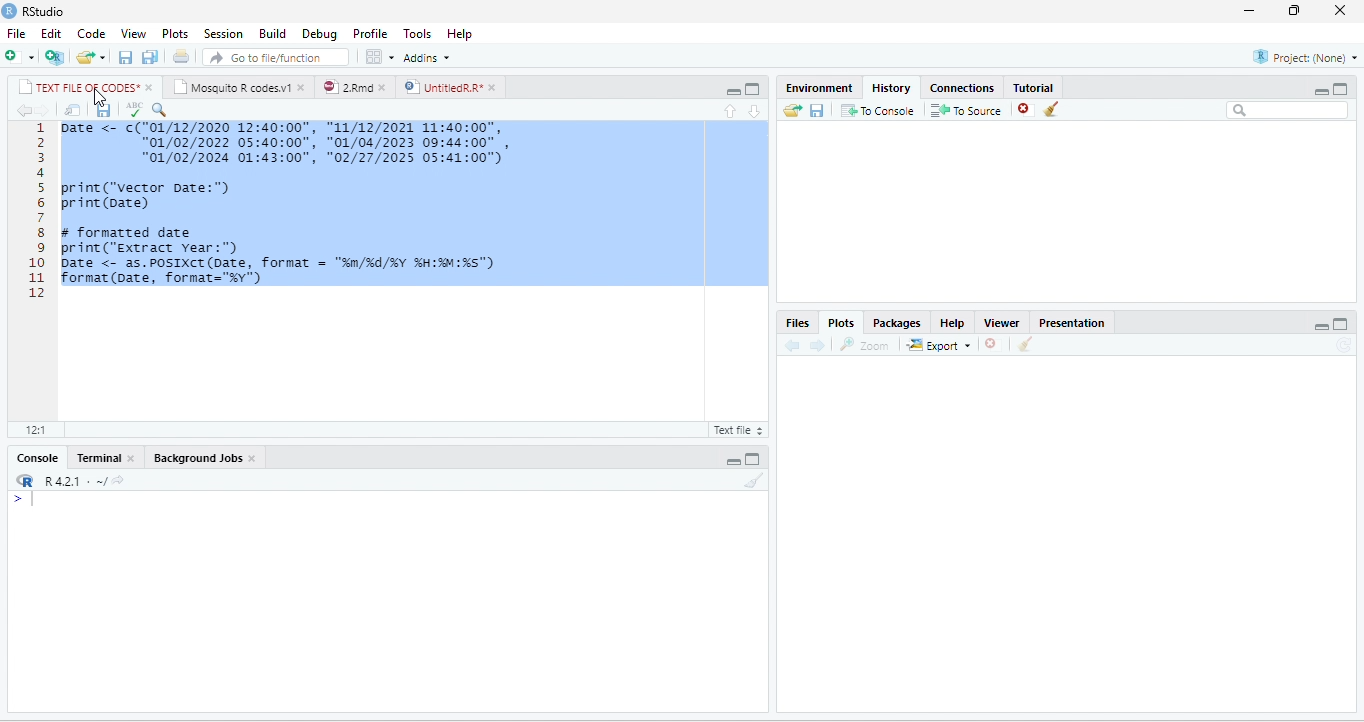 This screenshot has height=722, width=1364. Describe the element at coordinates (1340, 11) in the screenshot. I see `close` at that location.